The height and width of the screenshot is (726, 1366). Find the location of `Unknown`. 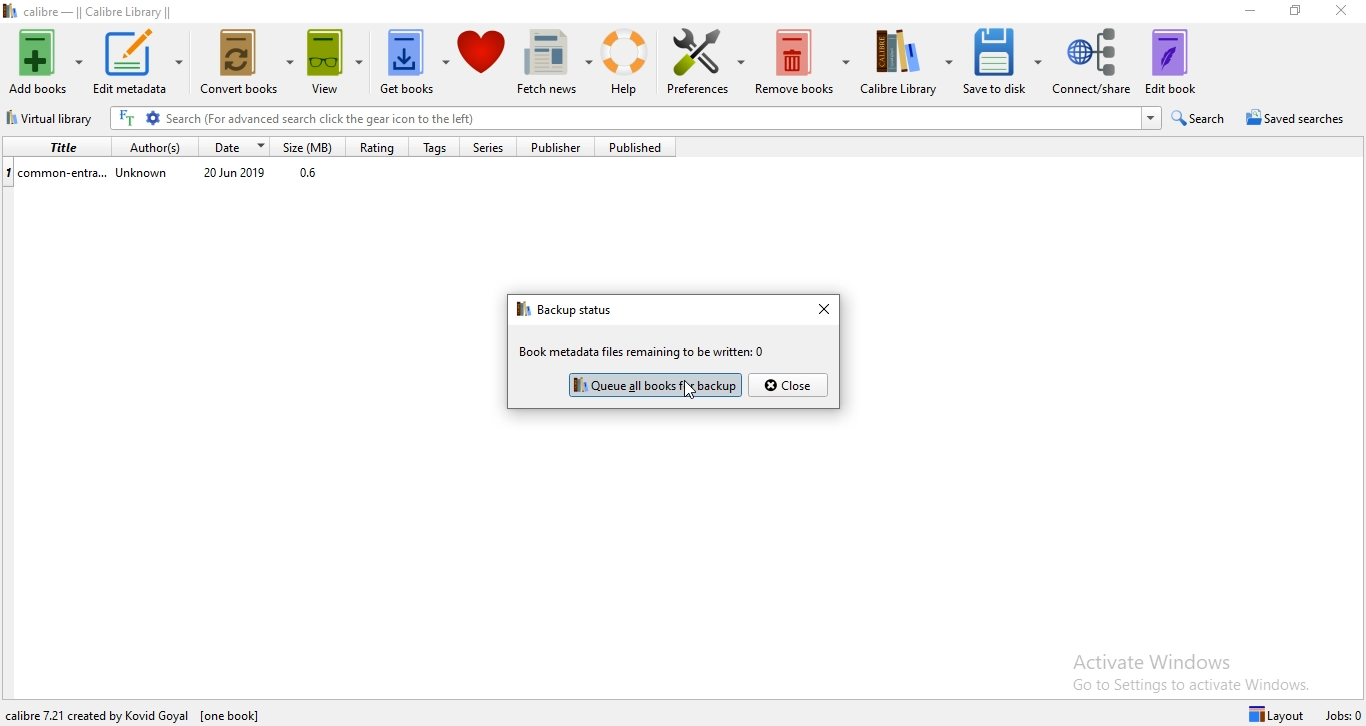

Unknown is located at coordinates (144, 176).